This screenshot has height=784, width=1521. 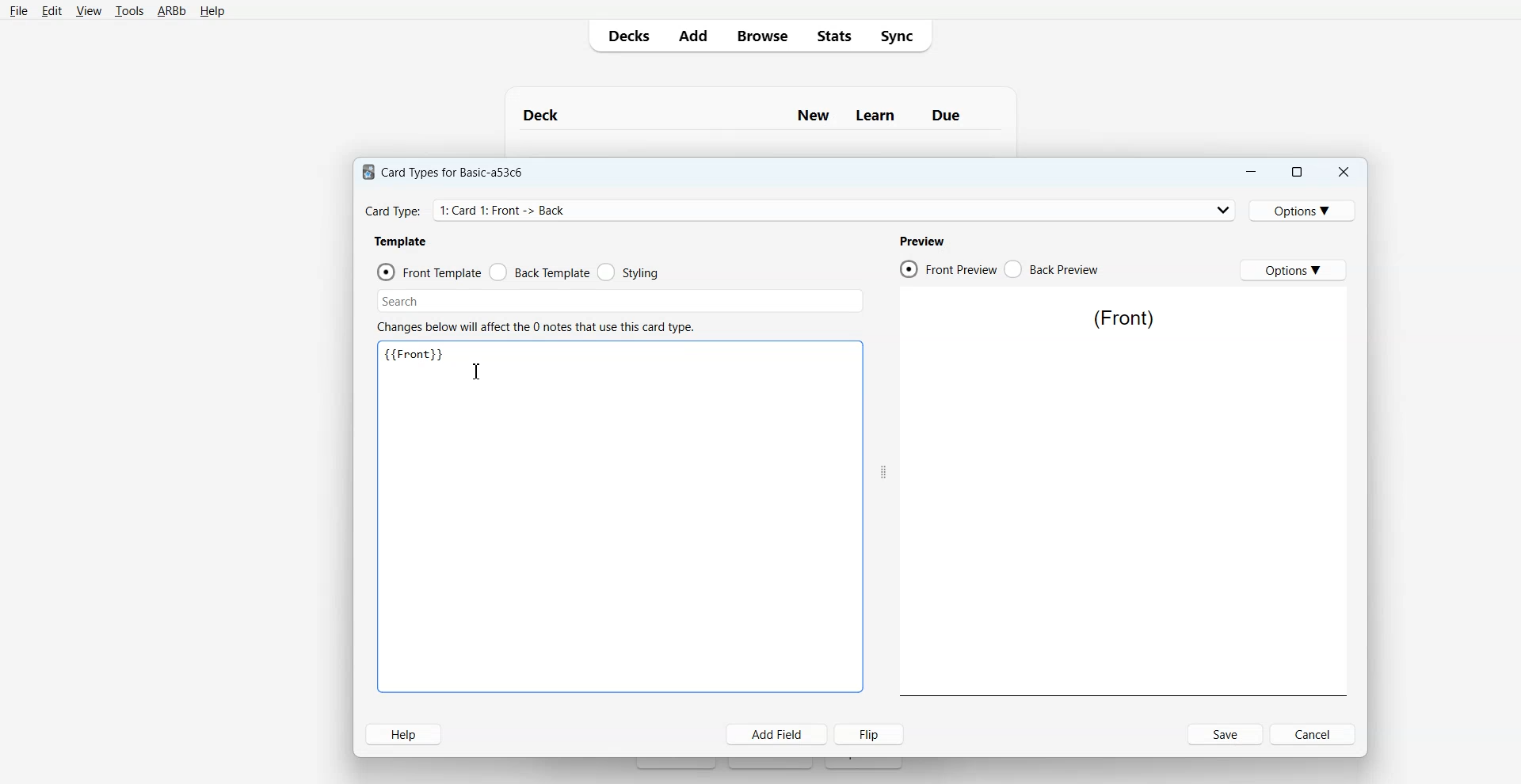 What do you see at coordinates (1343, 173) in the screenshot?
I see `Close` at bounding box center [1343, 173].